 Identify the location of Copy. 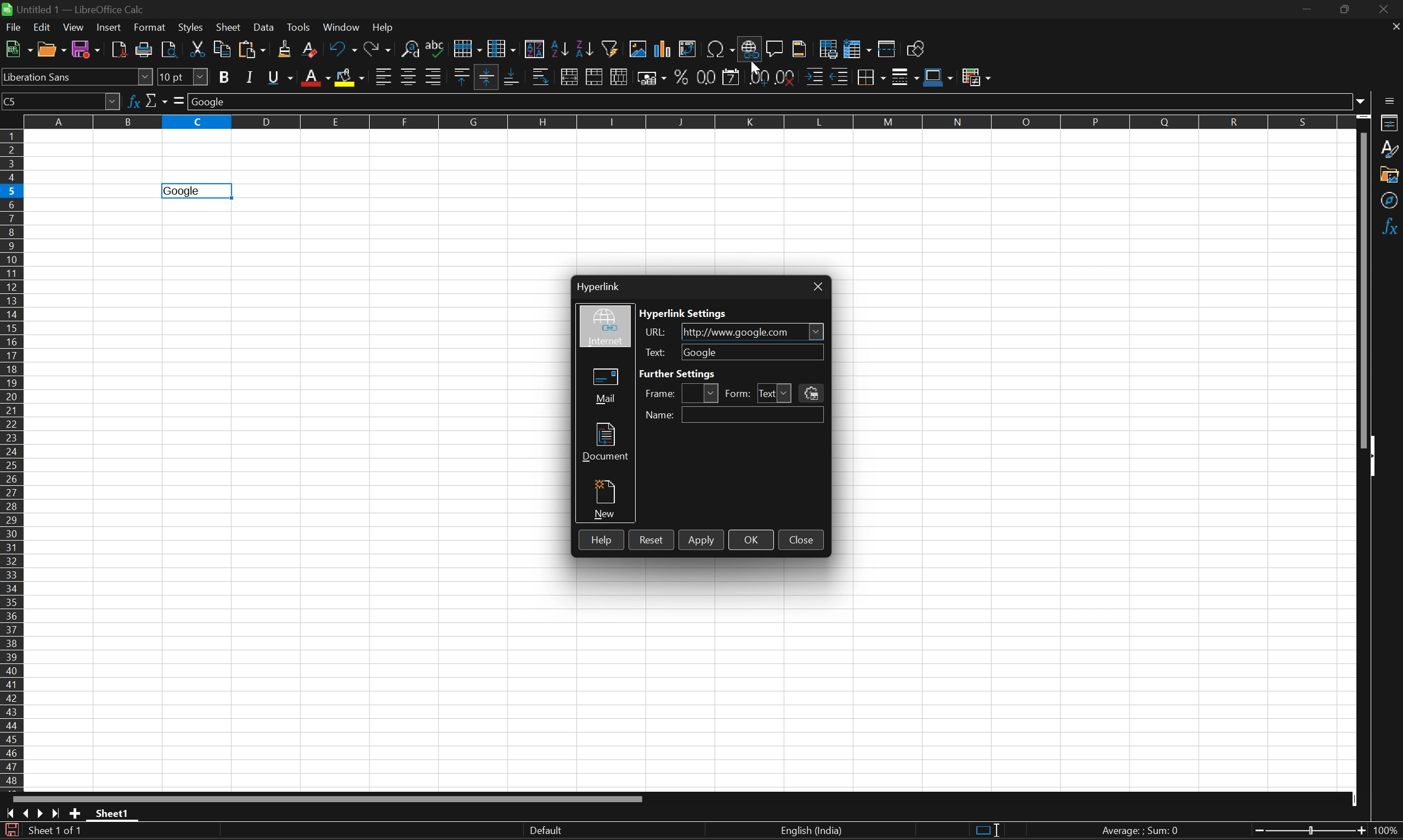
(220, 48).